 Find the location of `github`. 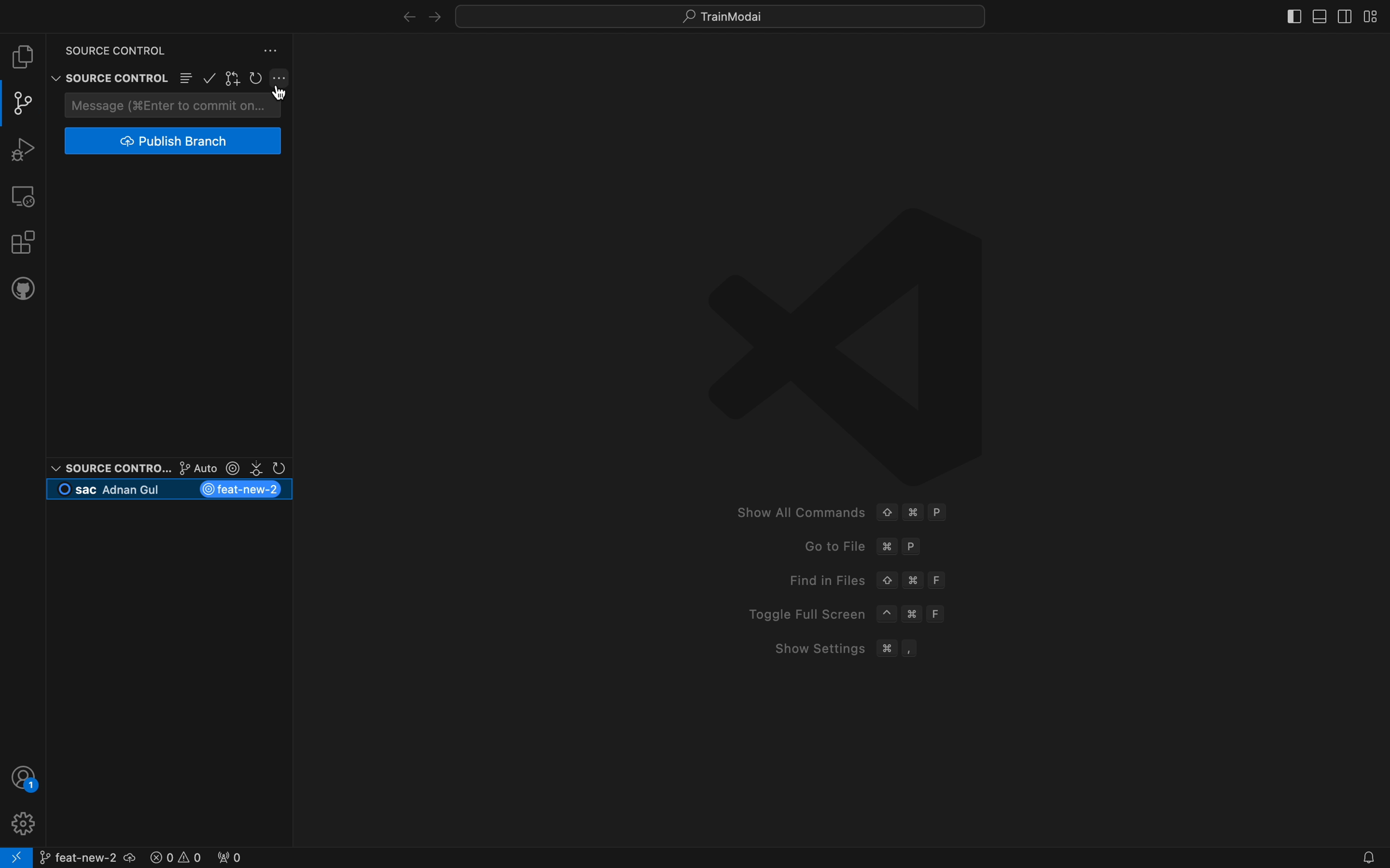

github is located at coordinates (23, 287).